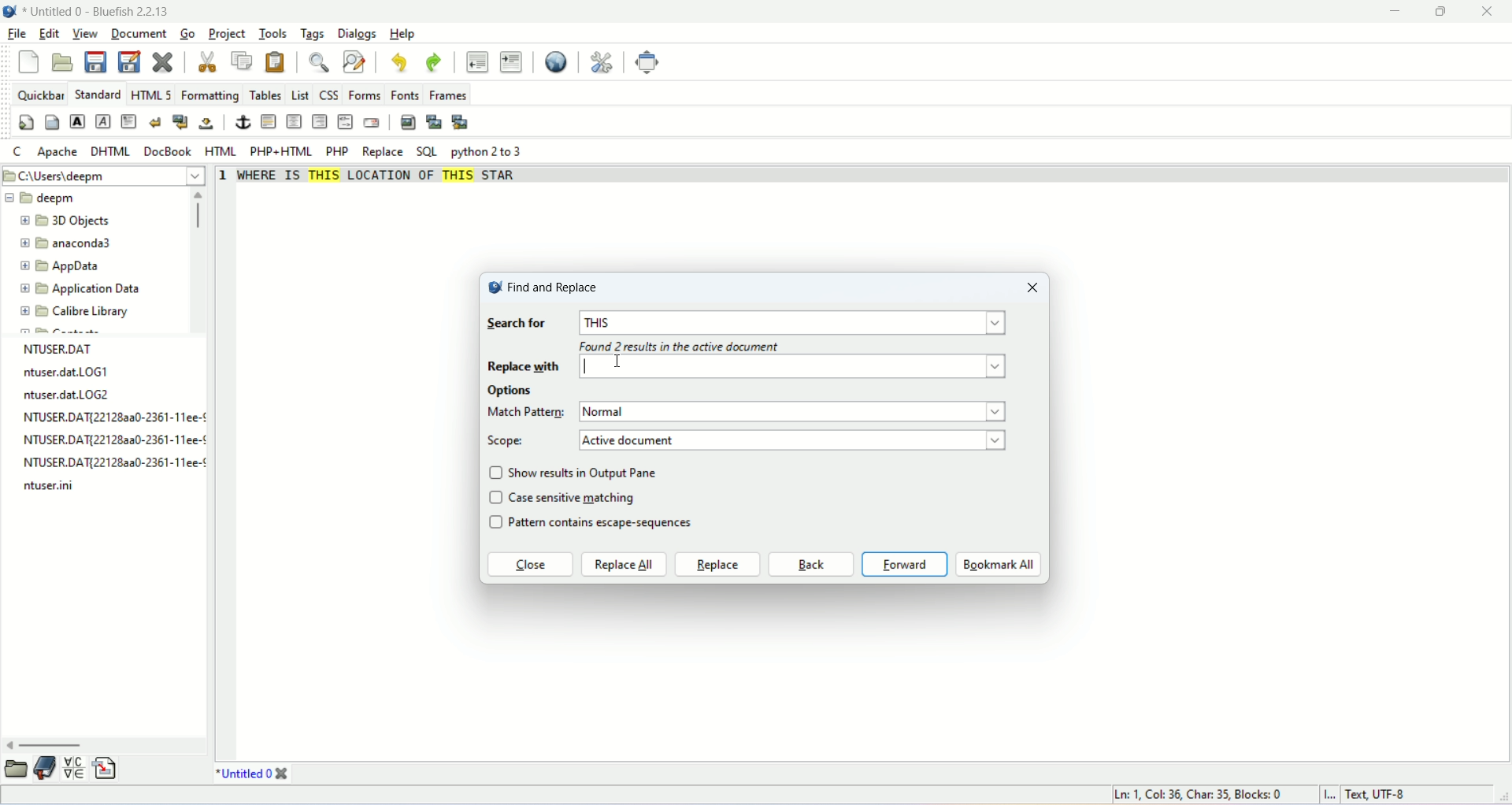 The height and width of the screenshot is (805, 1512). I want to click on paragraph, so click(130, 121).